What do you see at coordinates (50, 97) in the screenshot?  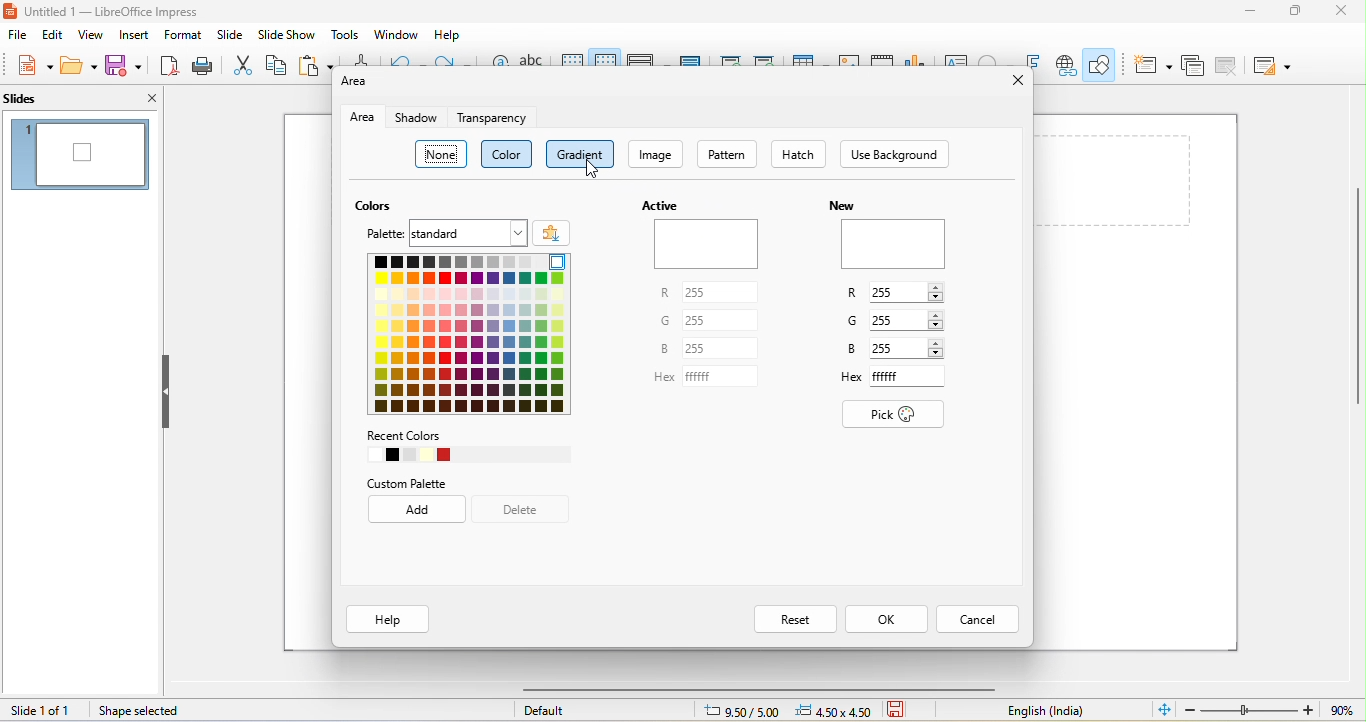 I see `slides` at bounding box center [50, 97].